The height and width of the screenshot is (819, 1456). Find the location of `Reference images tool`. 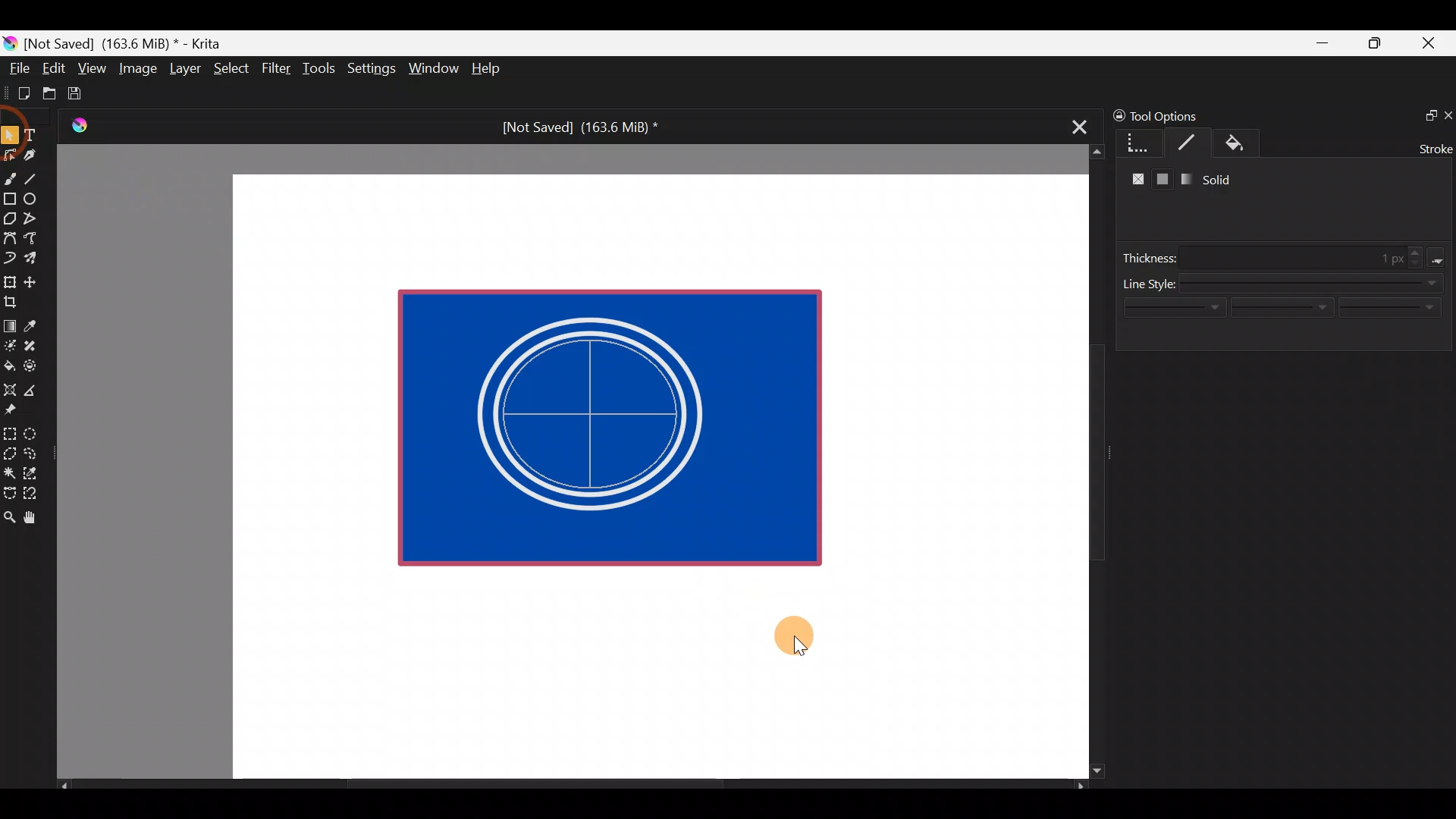

Reference images tool is located at coordinates (15, 408).